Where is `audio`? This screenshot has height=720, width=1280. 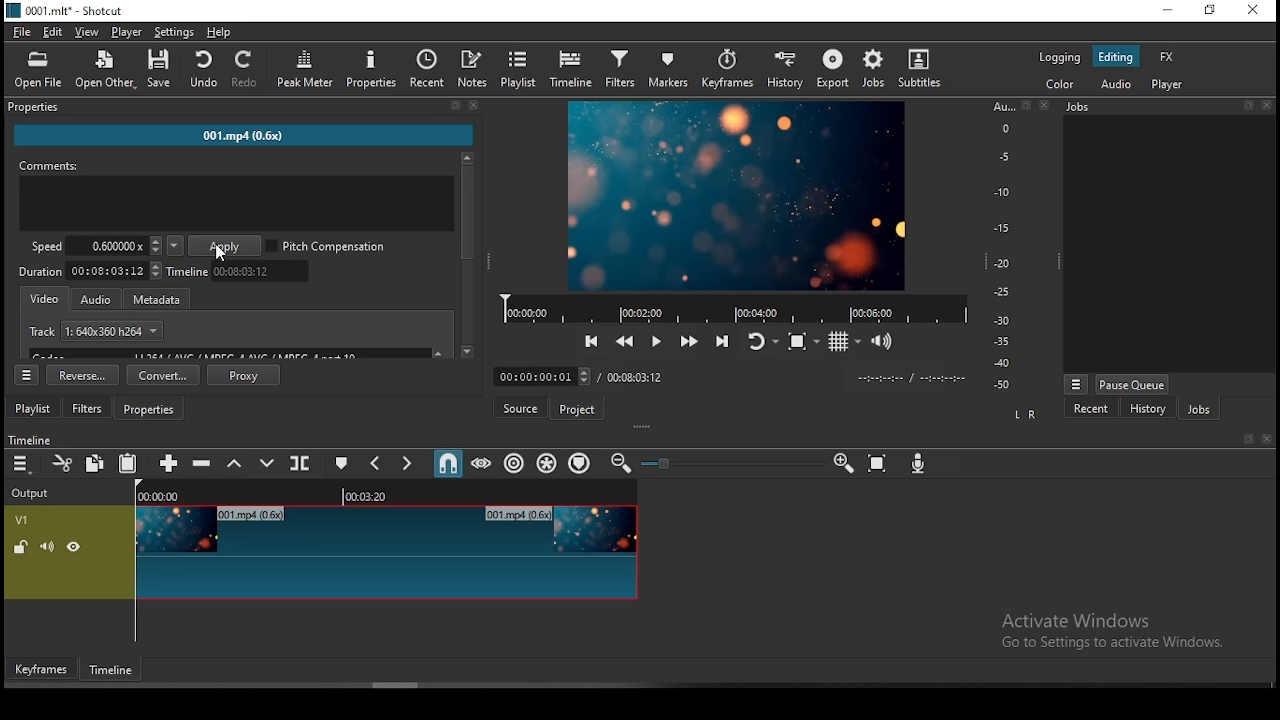
audio is located at coordinates (1113, 86).